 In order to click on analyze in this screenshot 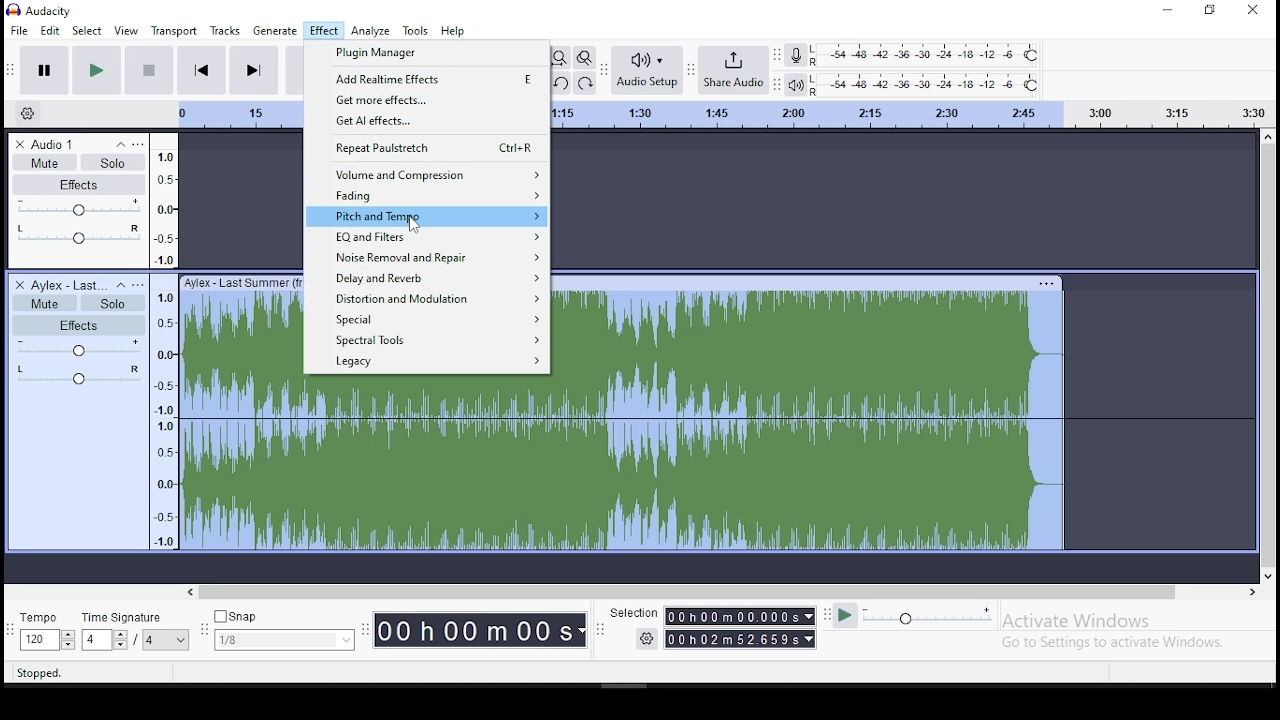, I will do `click(371, 30)`.